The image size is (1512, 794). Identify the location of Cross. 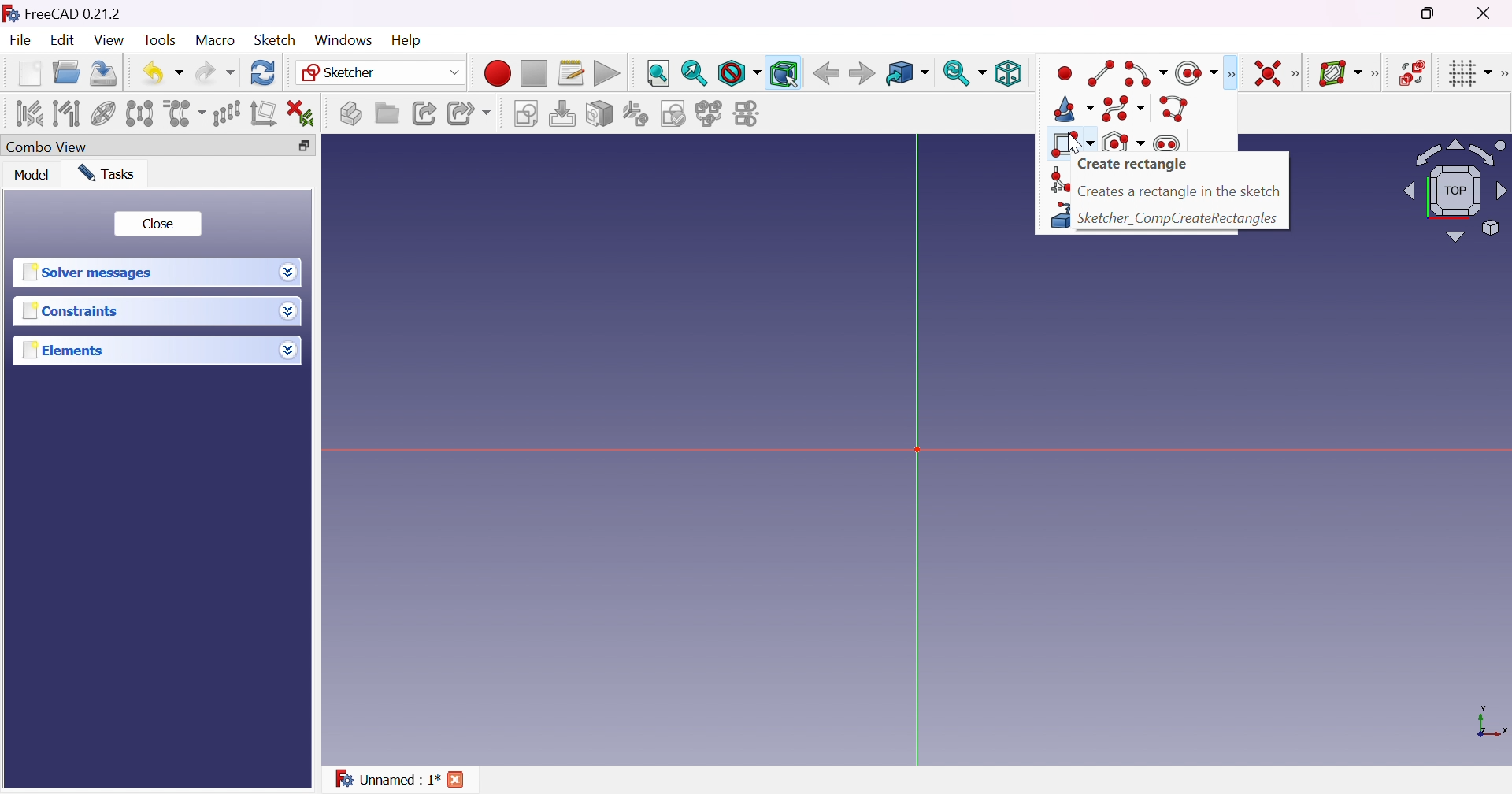
(454, 779).